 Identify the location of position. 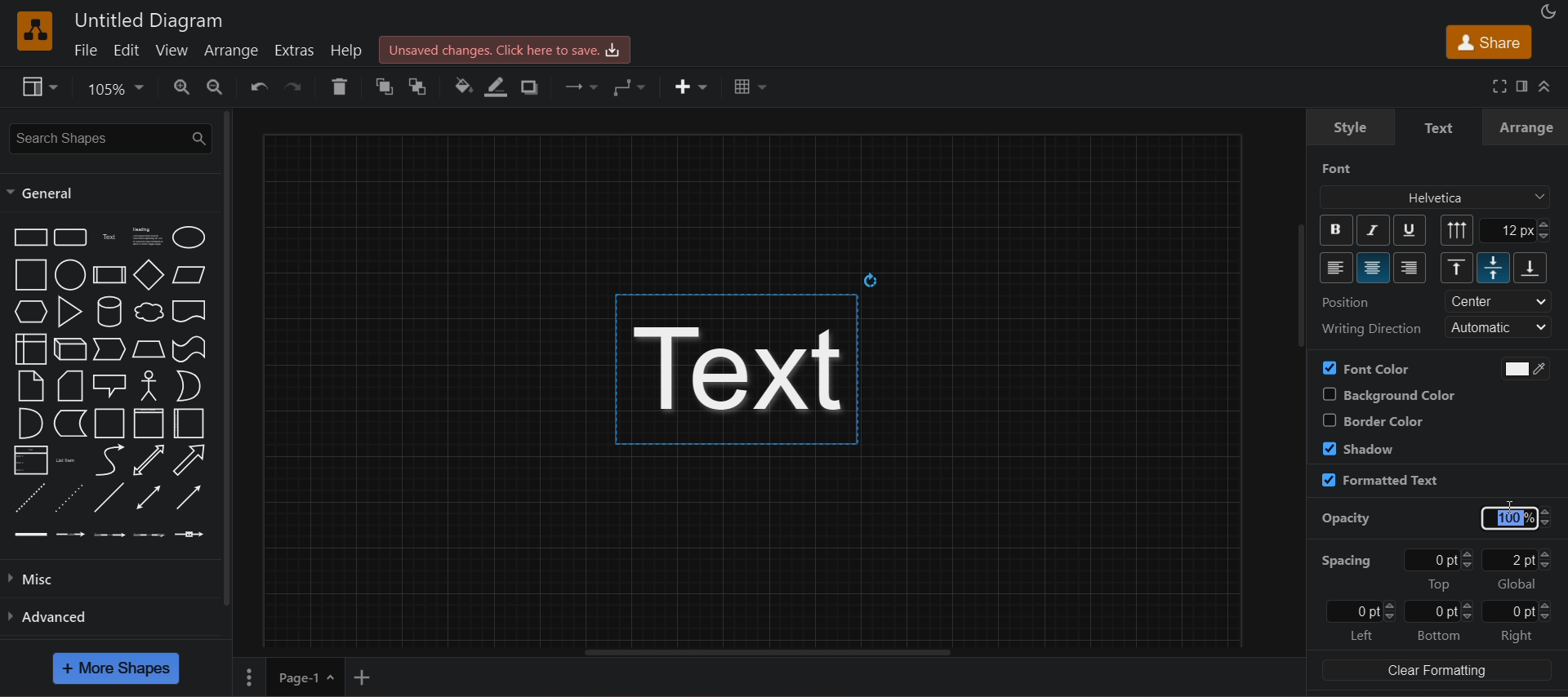
(1347, 302).